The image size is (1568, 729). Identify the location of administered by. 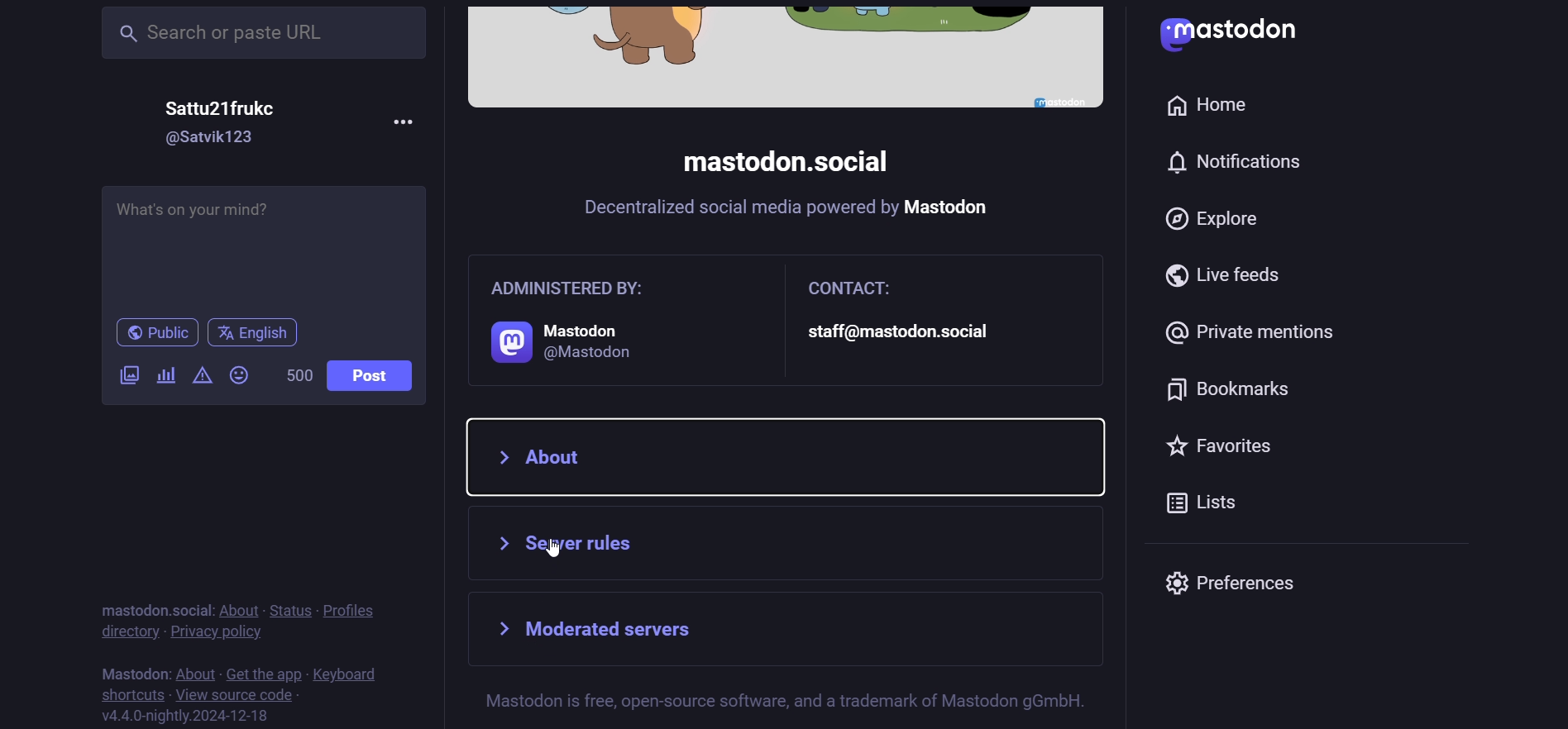
(595, 319).